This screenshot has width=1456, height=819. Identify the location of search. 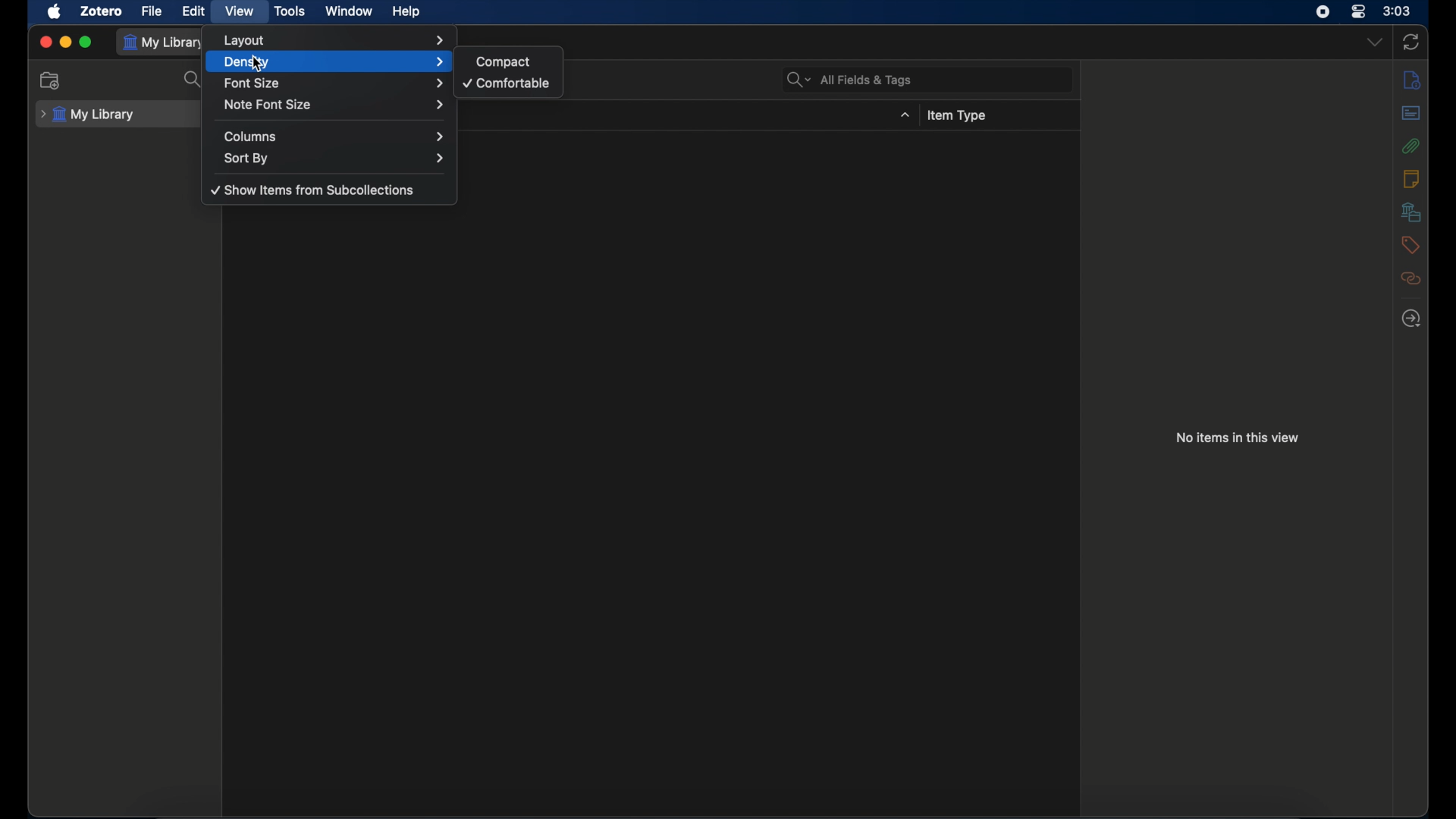
(193, 79).